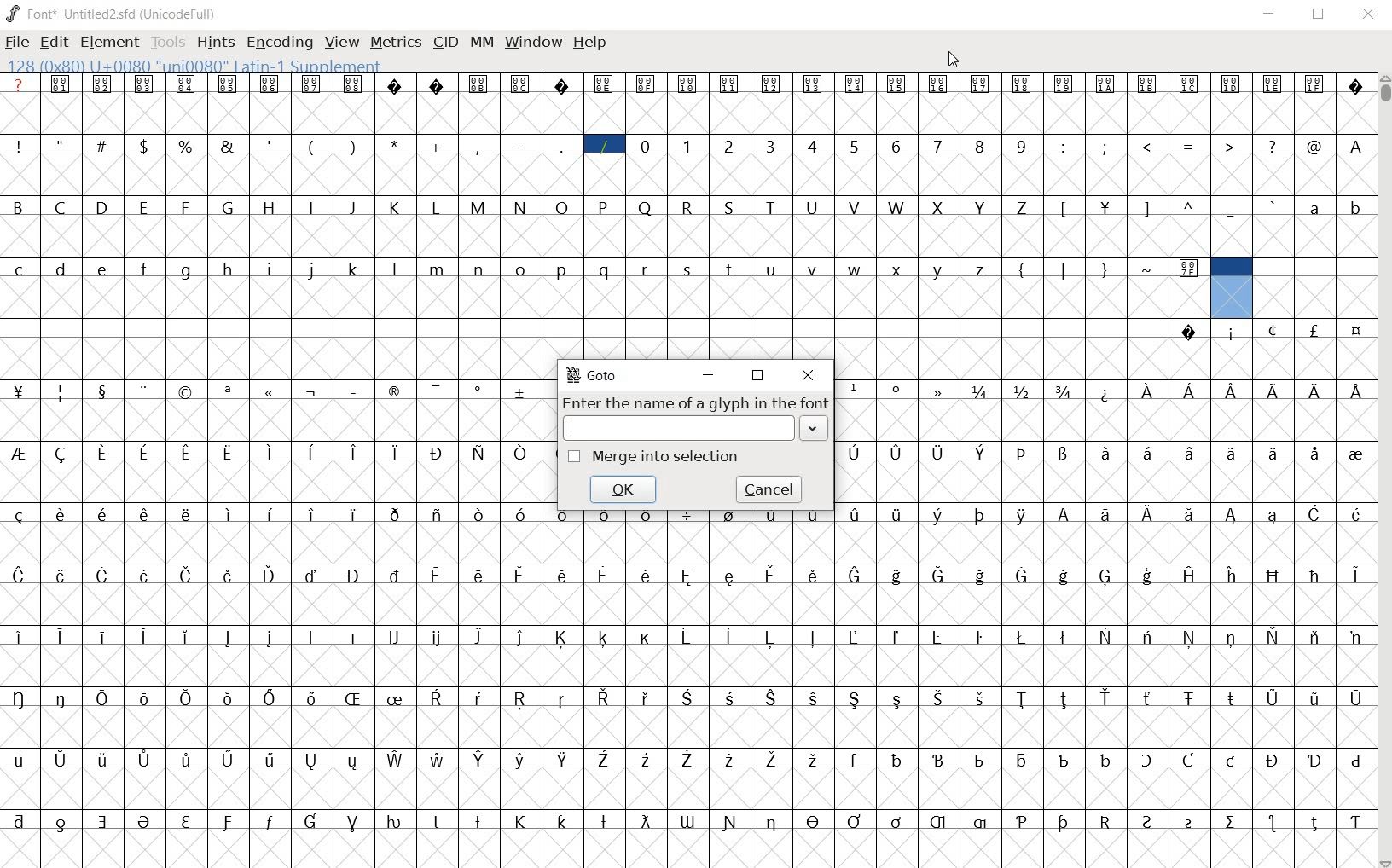 The height and width of the screenshot is (868, 1392). What do you see at coordinates (393, 638) in the screenshot?
I see `Symbol` at bounding box center [393, 638].